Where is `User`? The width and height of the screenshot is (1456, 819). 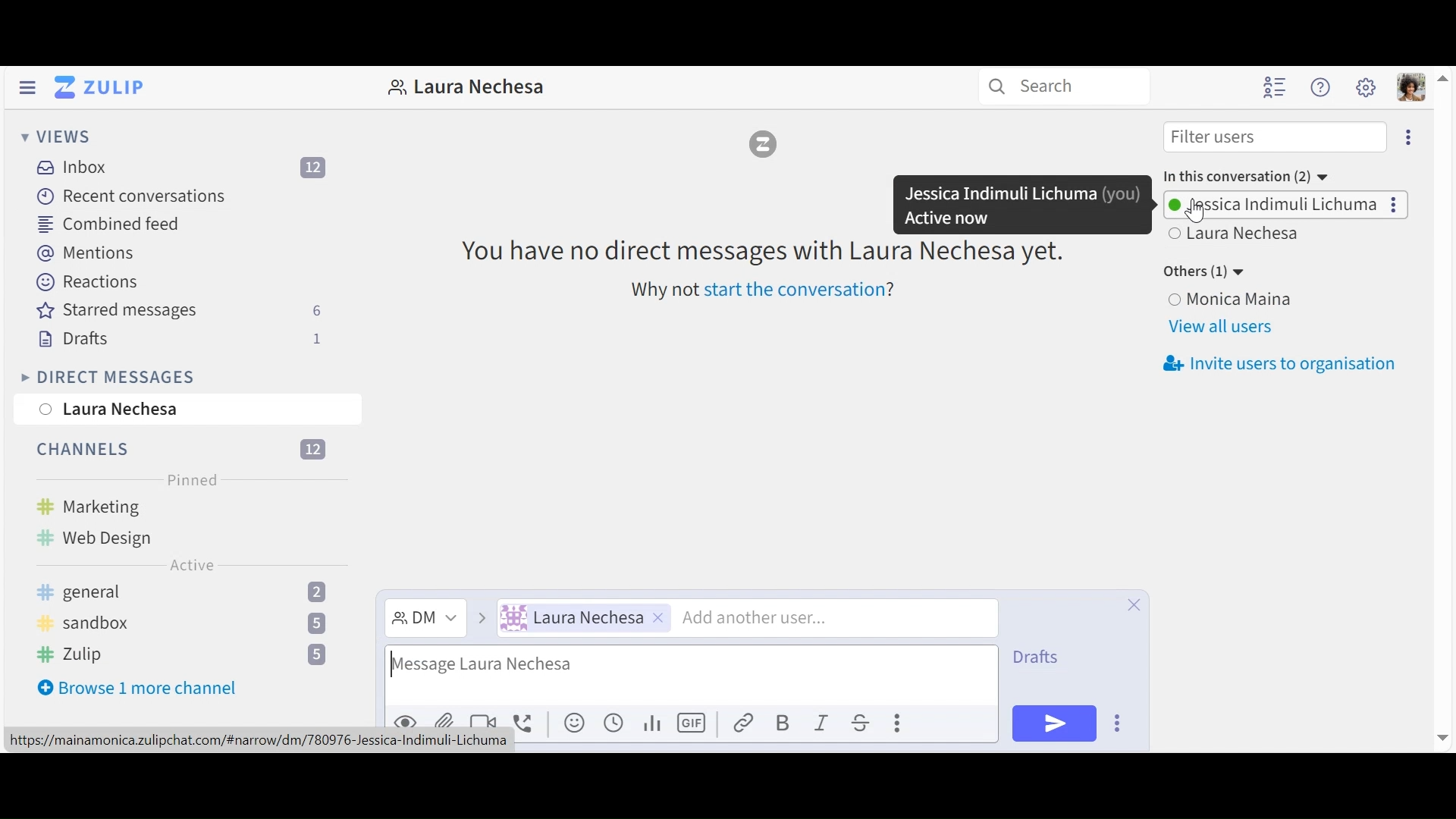 User is located at coordinates (1290, 300).